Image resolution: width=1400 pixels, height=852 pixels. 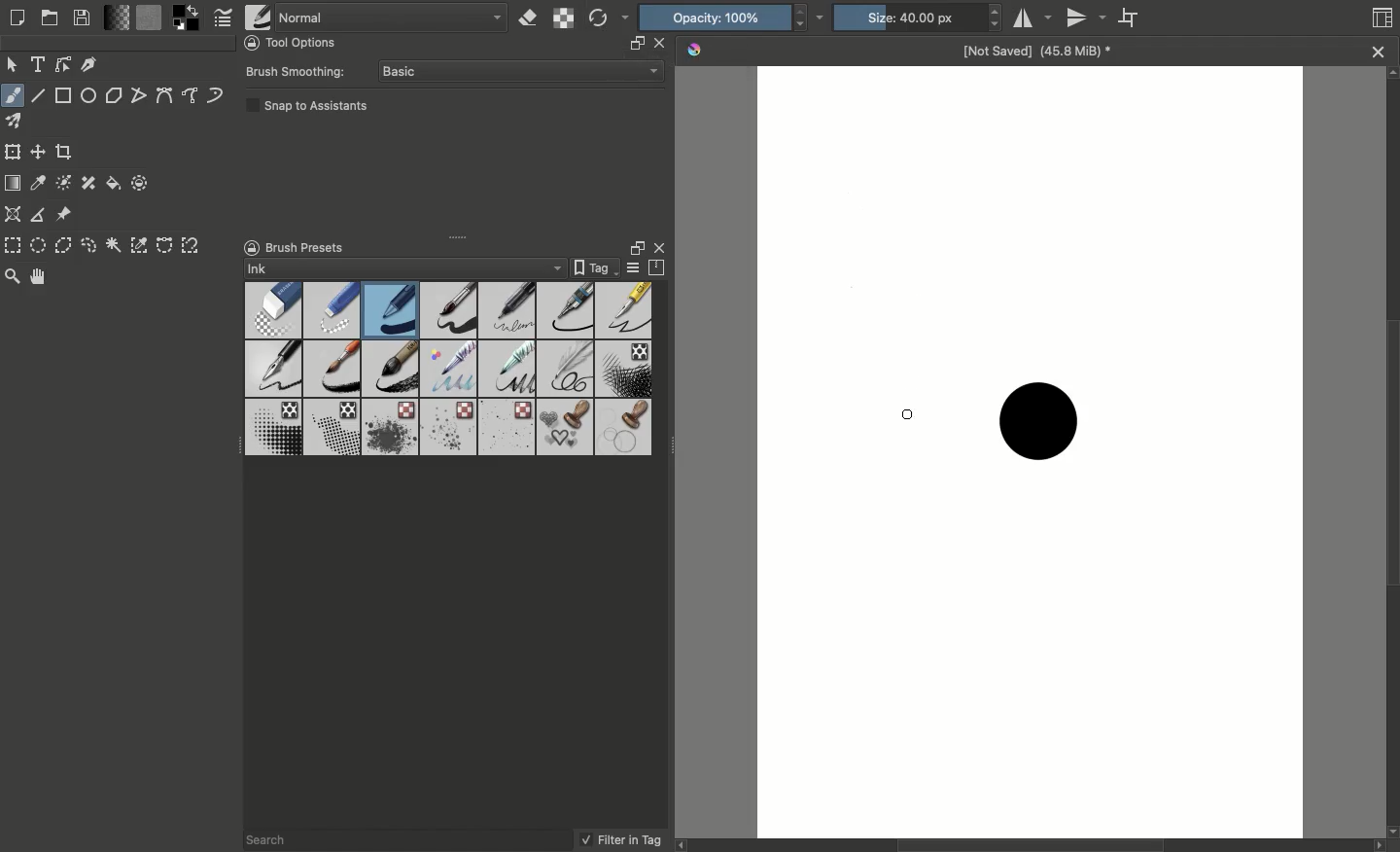 What do you see at coordinates (65, 152) in the screenshot?
I see `Crop` at bounding box center [65, 152].